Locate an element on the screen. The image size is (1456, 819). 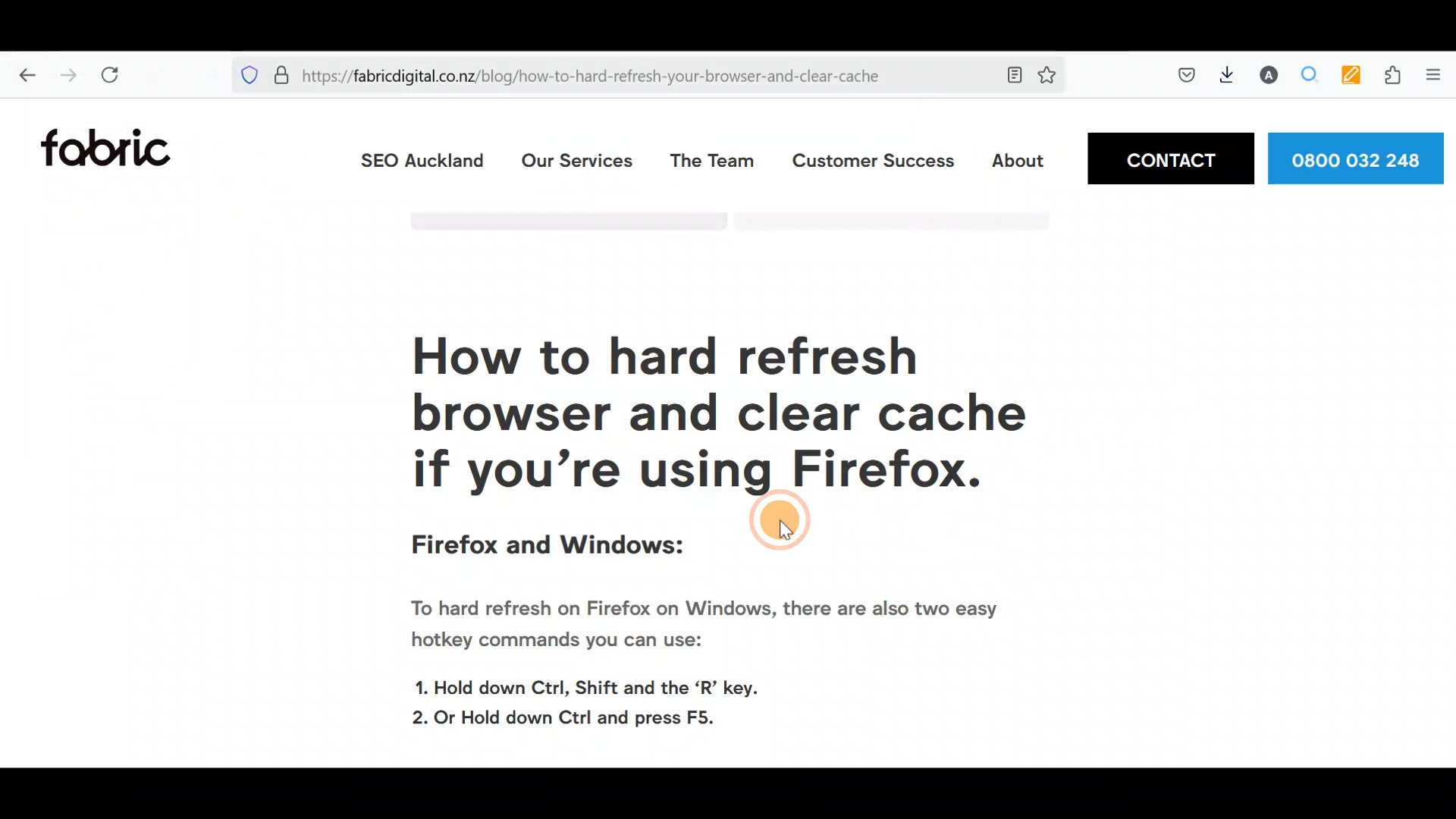
Toggle reader view is located at coordinates (1018, 74).